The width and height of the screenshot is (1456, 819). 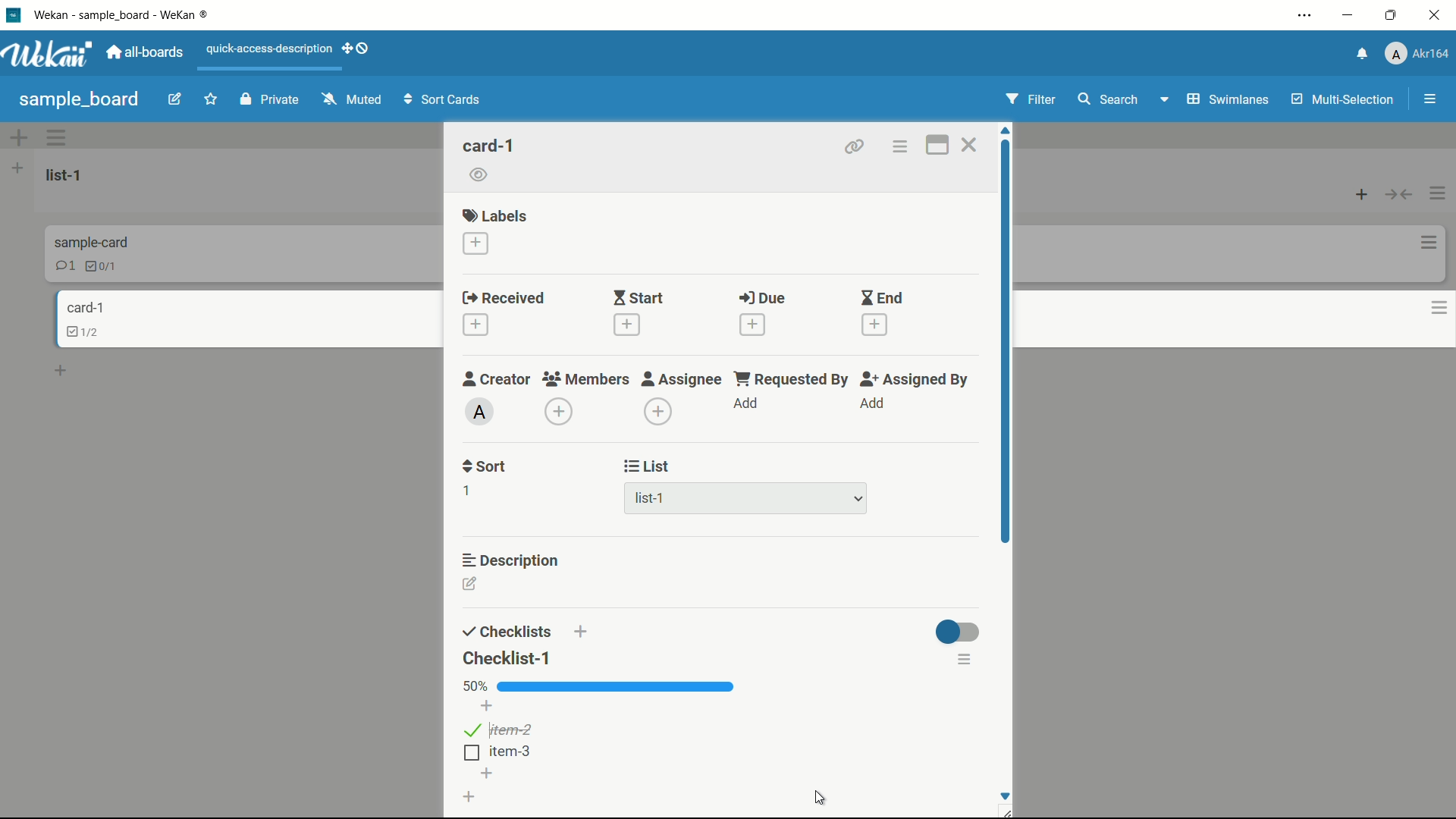 What do you see at coordinates (511, 753) in the screenshot?
I see `item-3` at bounding box center [511, 753].